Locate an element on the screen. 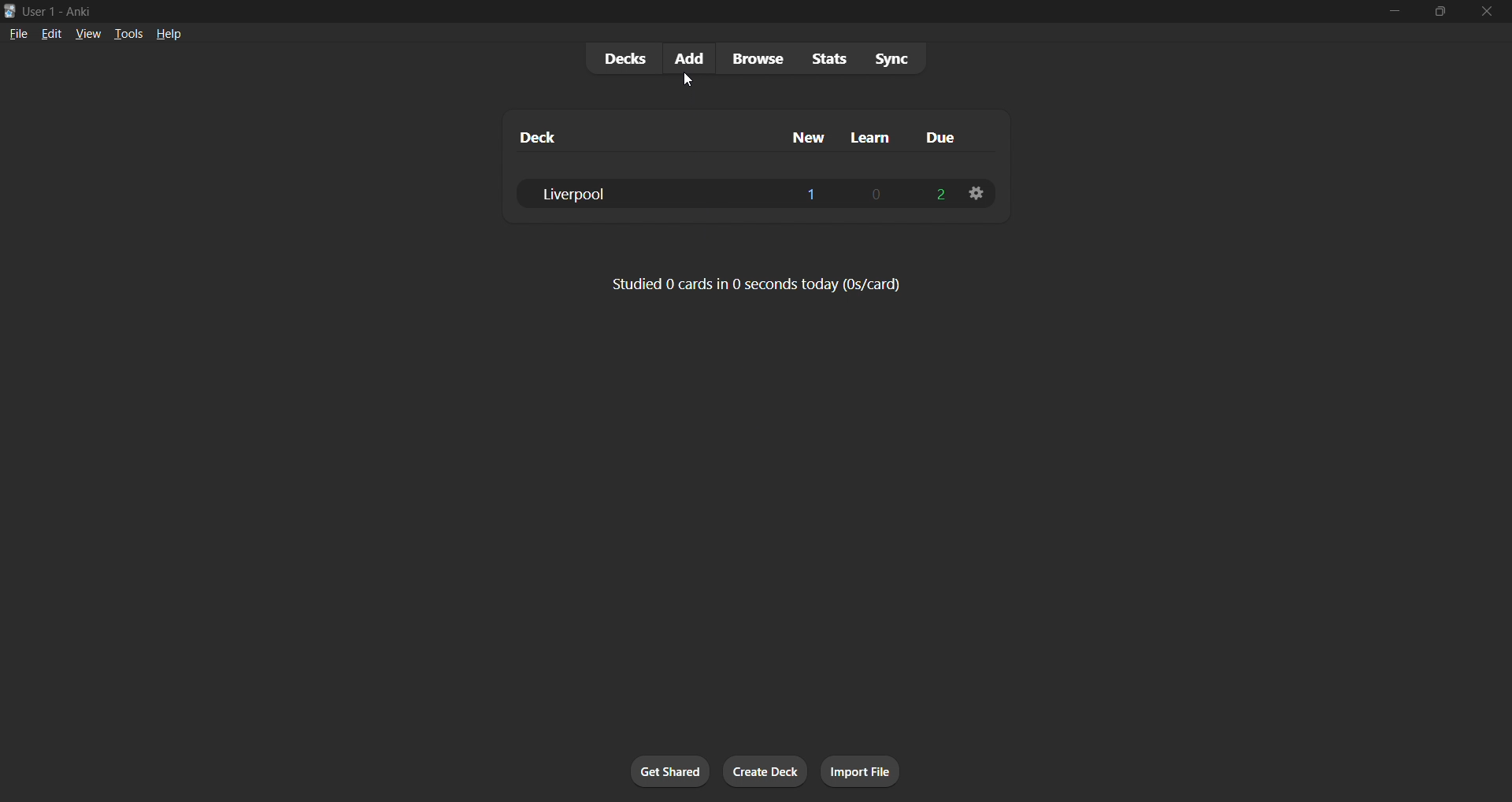  browse is located at coordinates (756, 59).